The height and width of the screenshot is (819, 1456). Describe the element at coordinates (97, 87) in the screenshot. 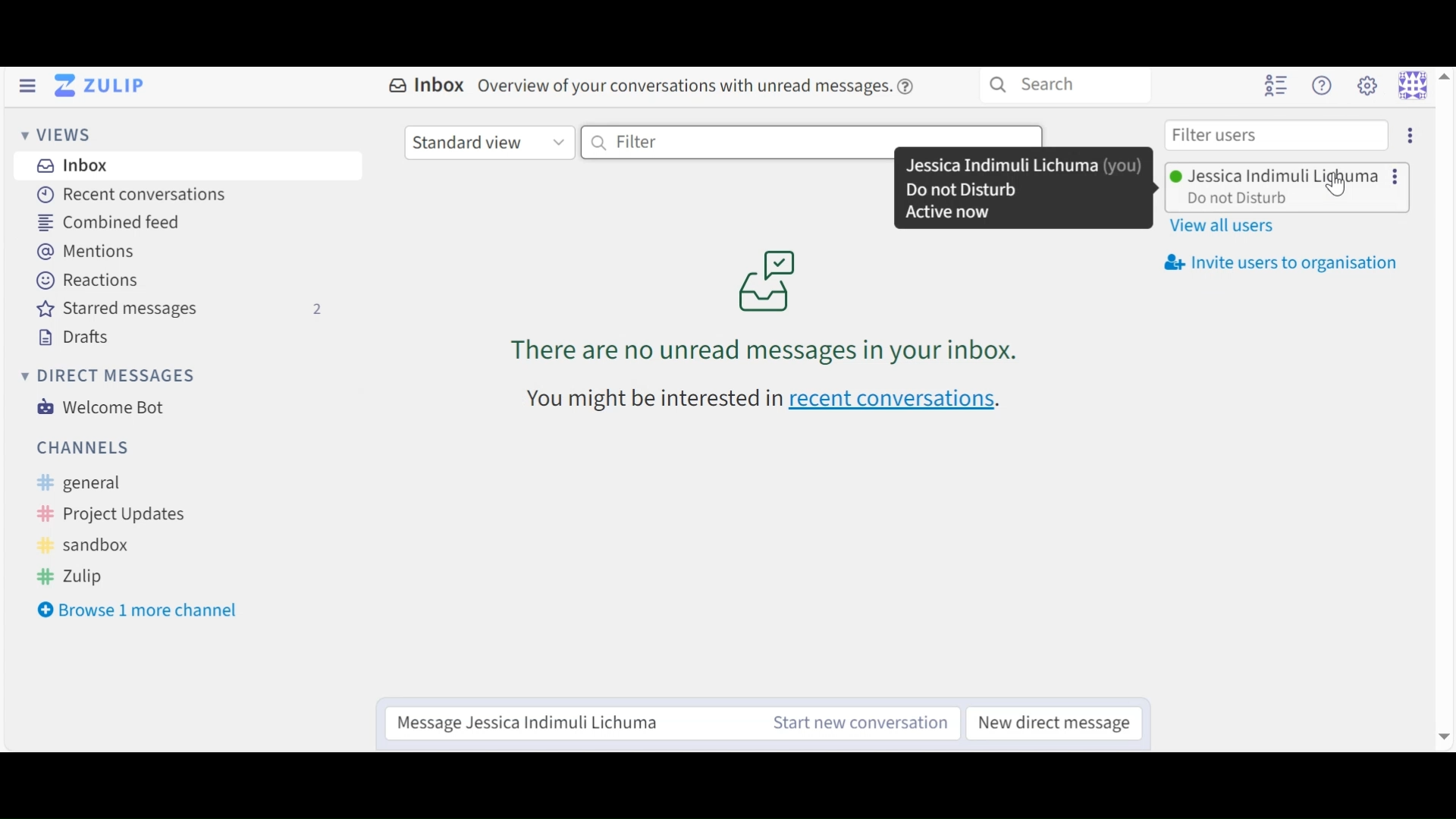

I see `Go to Home View` at that location.